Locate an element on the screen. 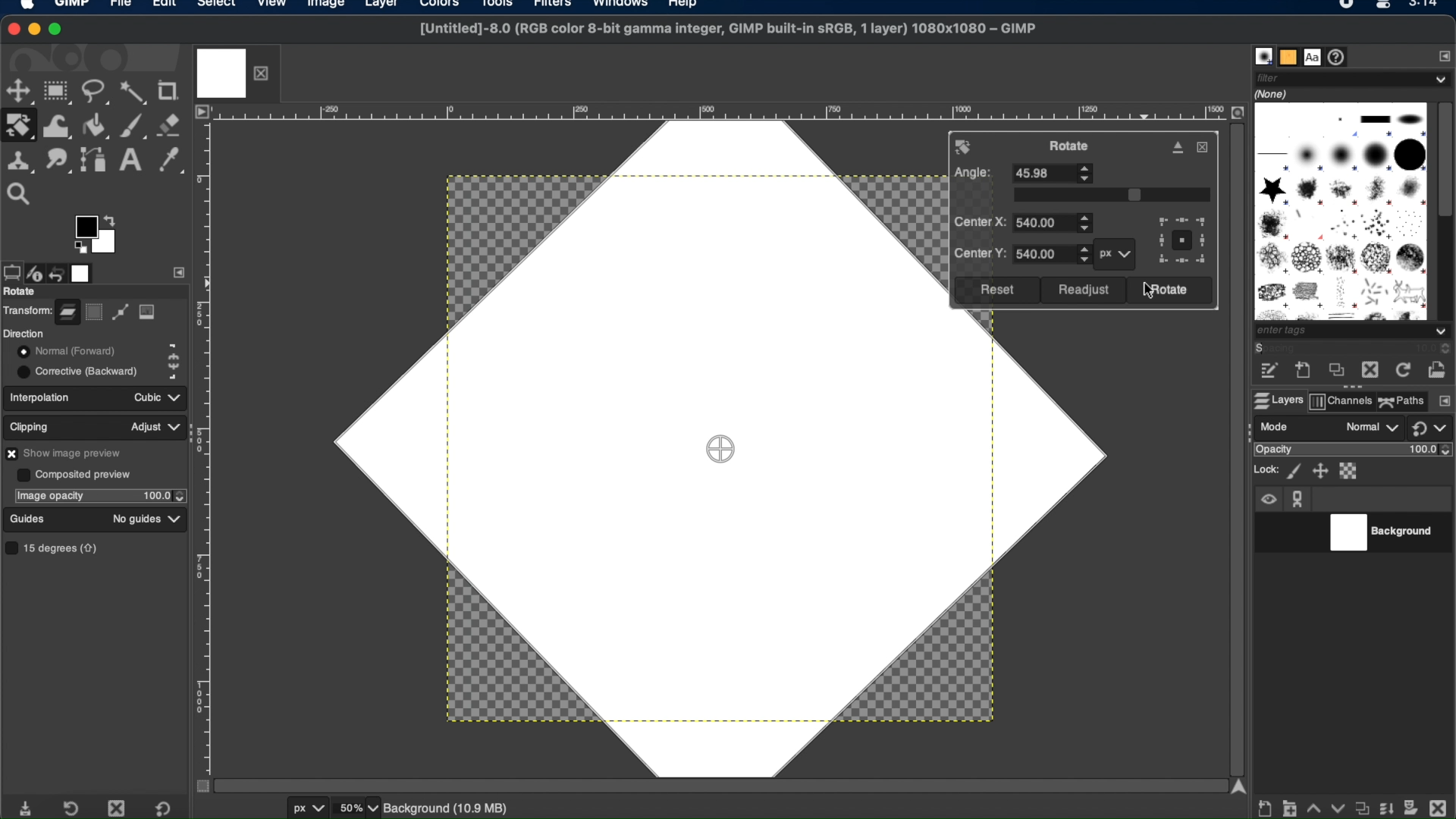 This screenshot has height=819, width=1456. text tool  is located at coordinates (130, 160).